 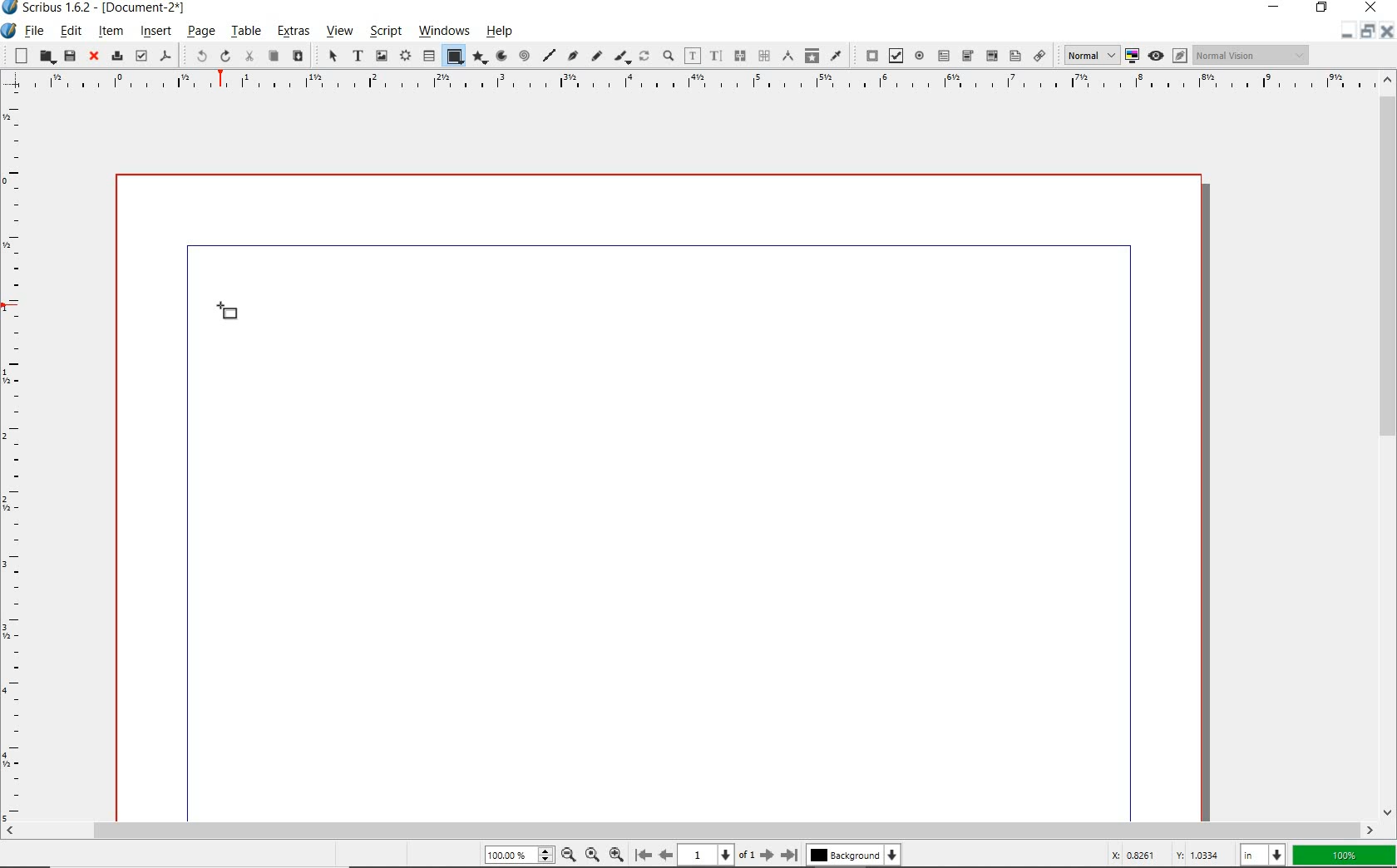 What do you see at coordinates (836, 57) in the screenshot?
I see `eye dropper` at bounding box center [836, 57].